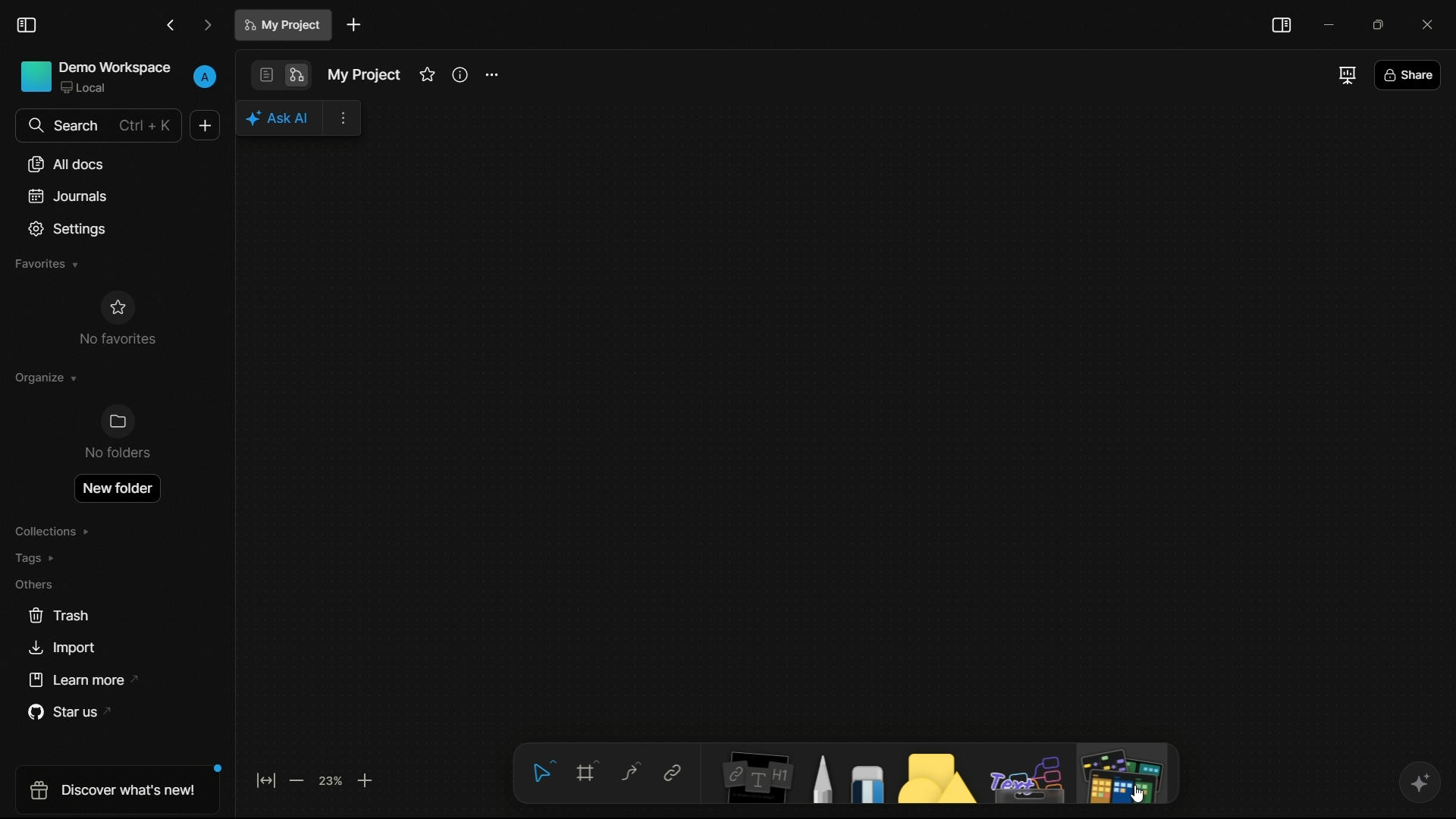  Describe the element at coordinates (868, 783) in the screenshot. I see `eraser` at that location.